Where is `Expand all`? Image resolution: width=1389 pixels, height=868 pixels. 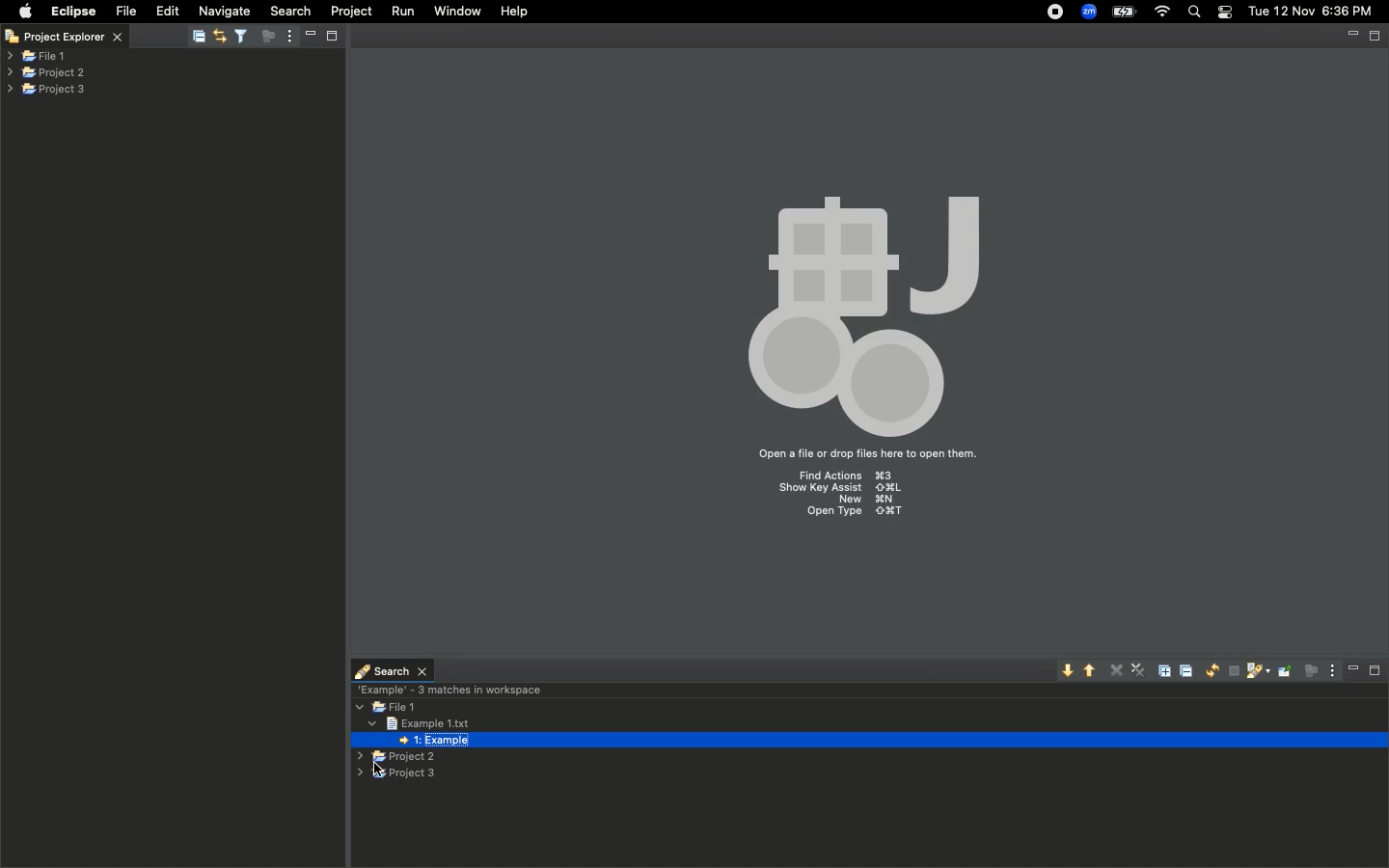
Expand all is located at coordinates (1168, 669).